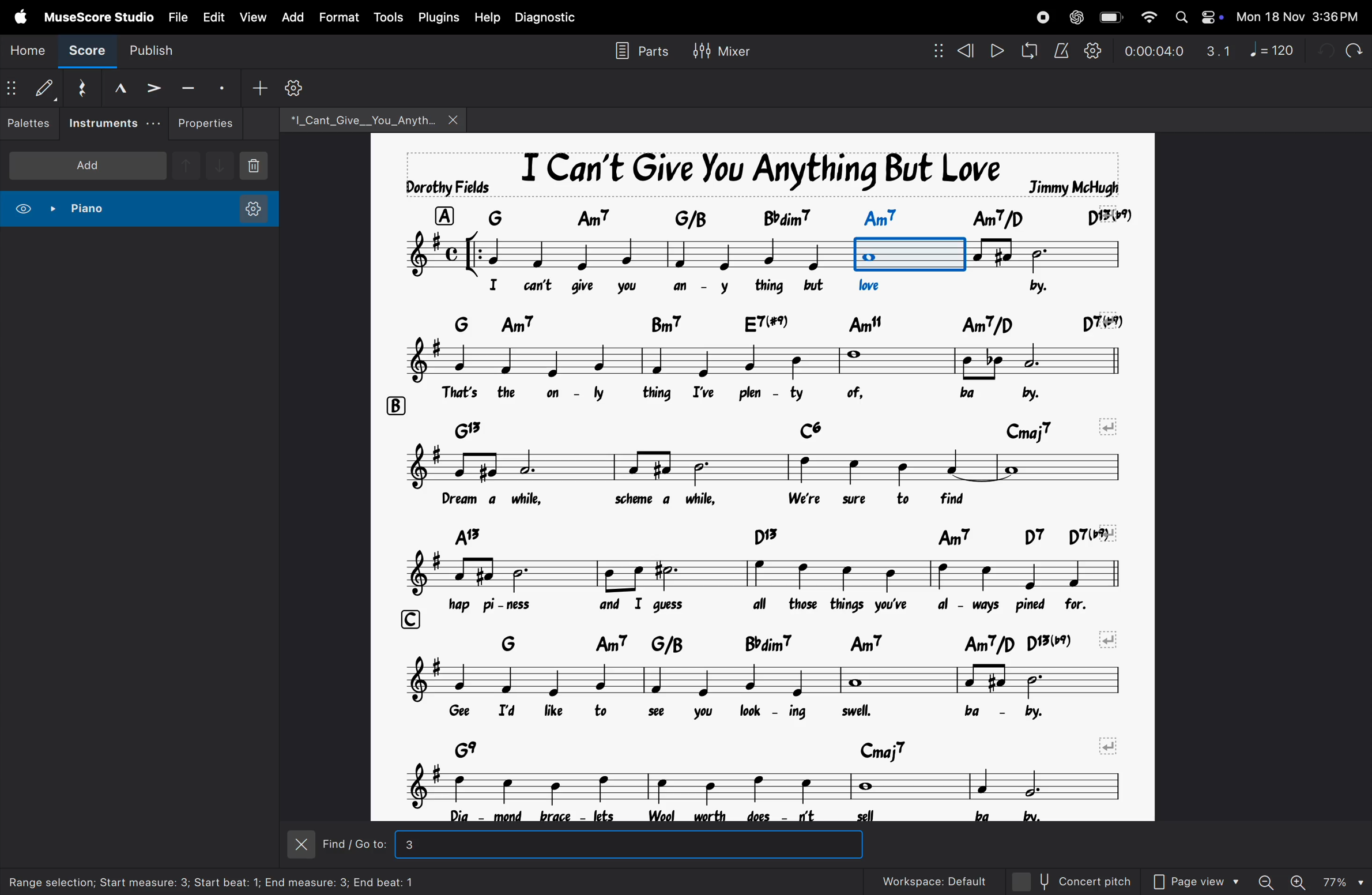 The width and height of the screenshot is (1372, 895). Describe the element at coordinates (413, 845) in the screenshot. I see `3` at that location.